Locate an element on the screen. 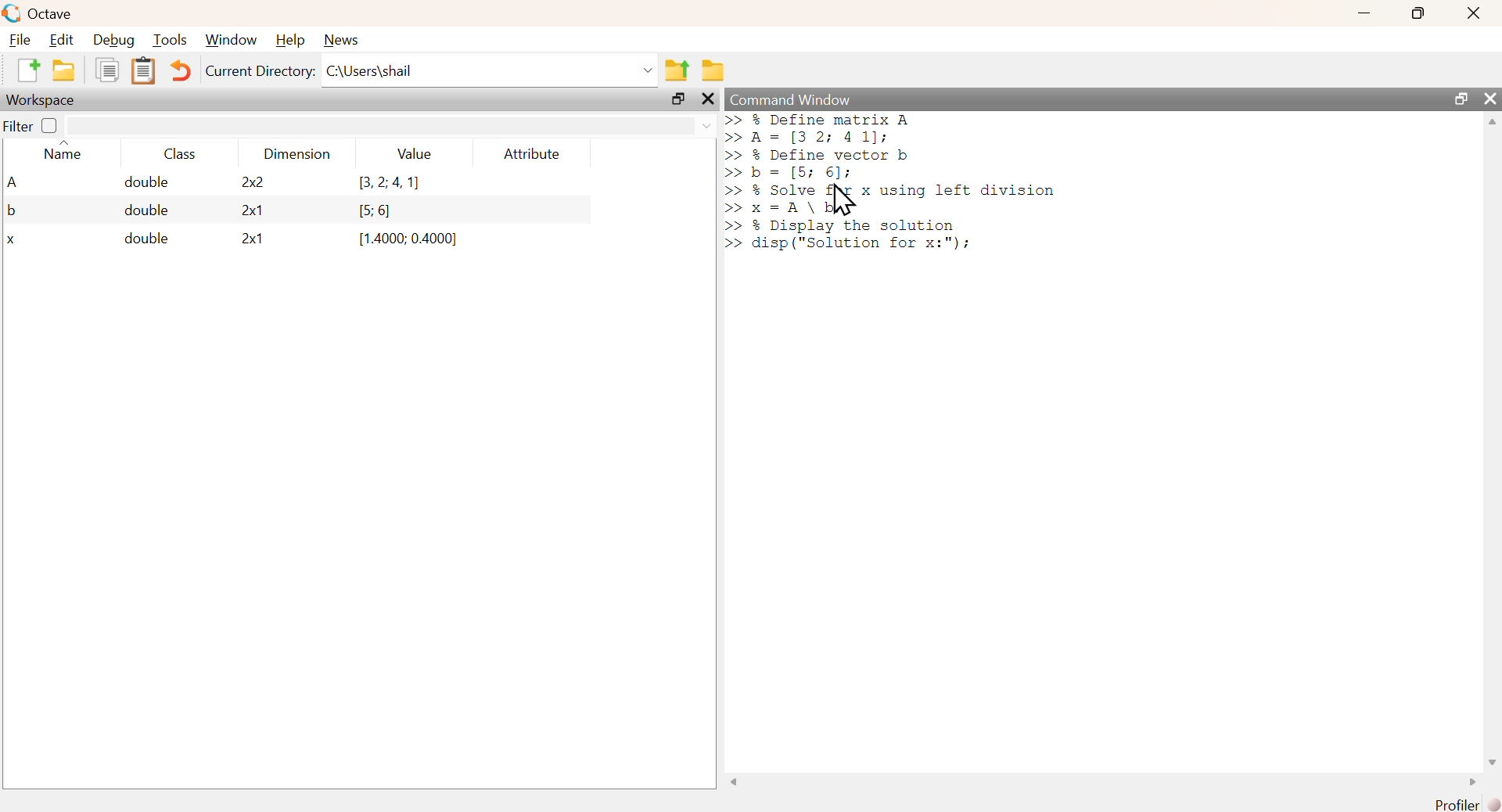  current directory is located at coordinates (260, 73).